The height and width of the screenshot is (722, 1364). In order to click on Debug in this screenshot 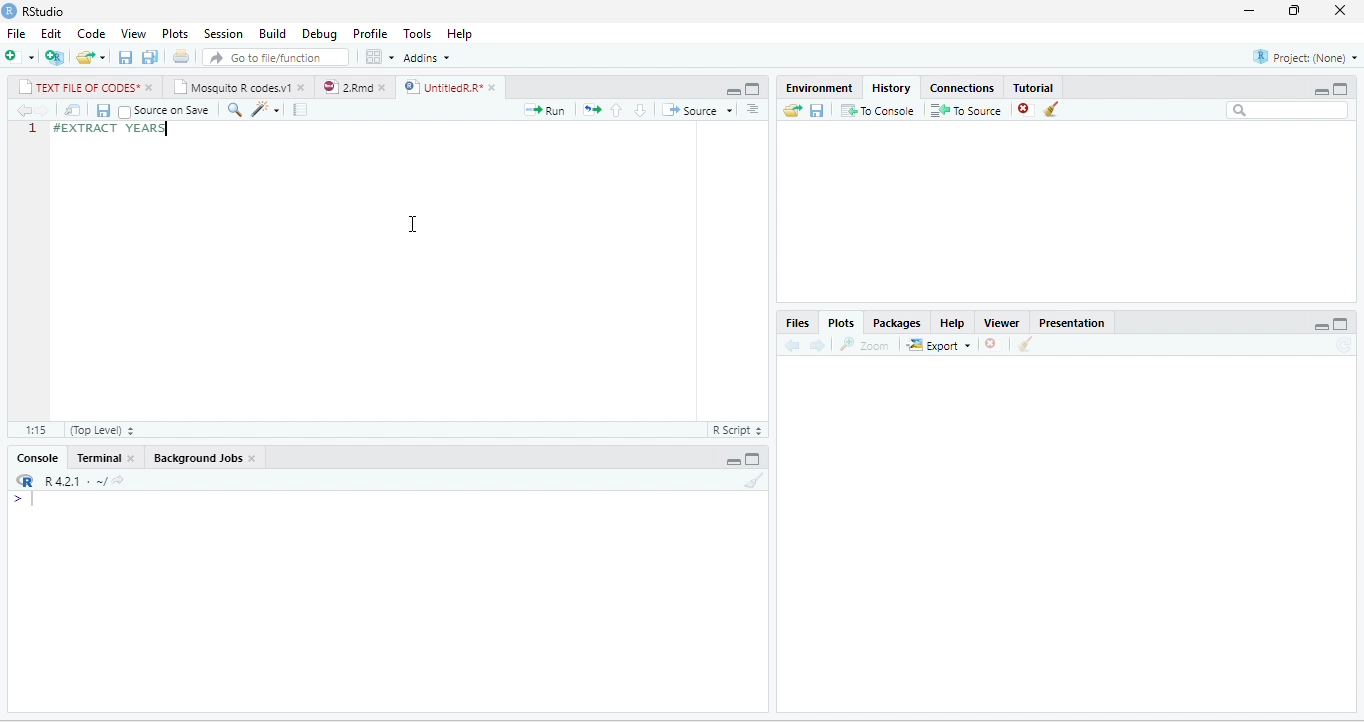, I will do `click(321, 34)`.